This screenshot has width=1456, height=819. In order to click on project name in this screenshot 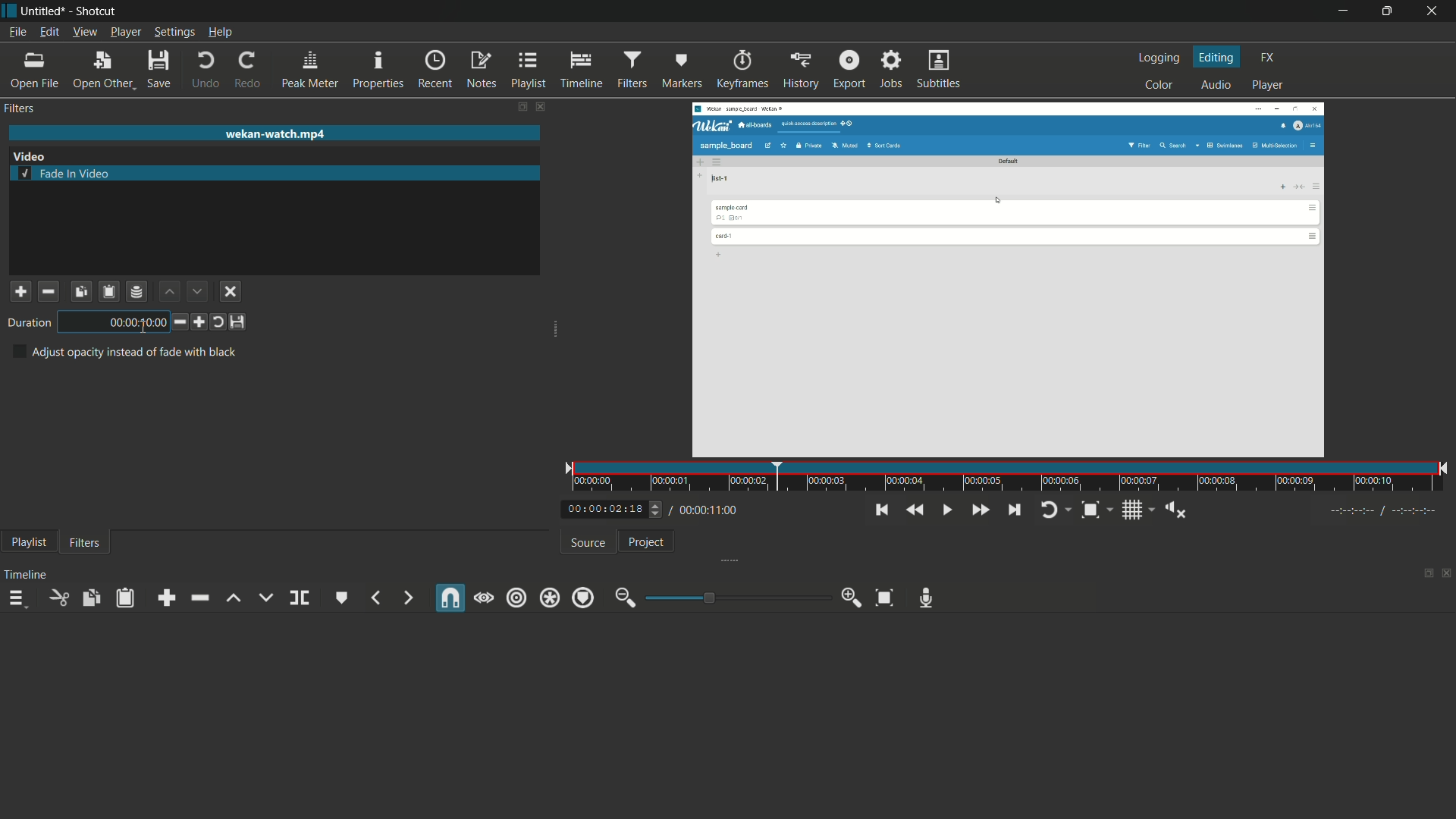, I will do `click(40, 11)`.